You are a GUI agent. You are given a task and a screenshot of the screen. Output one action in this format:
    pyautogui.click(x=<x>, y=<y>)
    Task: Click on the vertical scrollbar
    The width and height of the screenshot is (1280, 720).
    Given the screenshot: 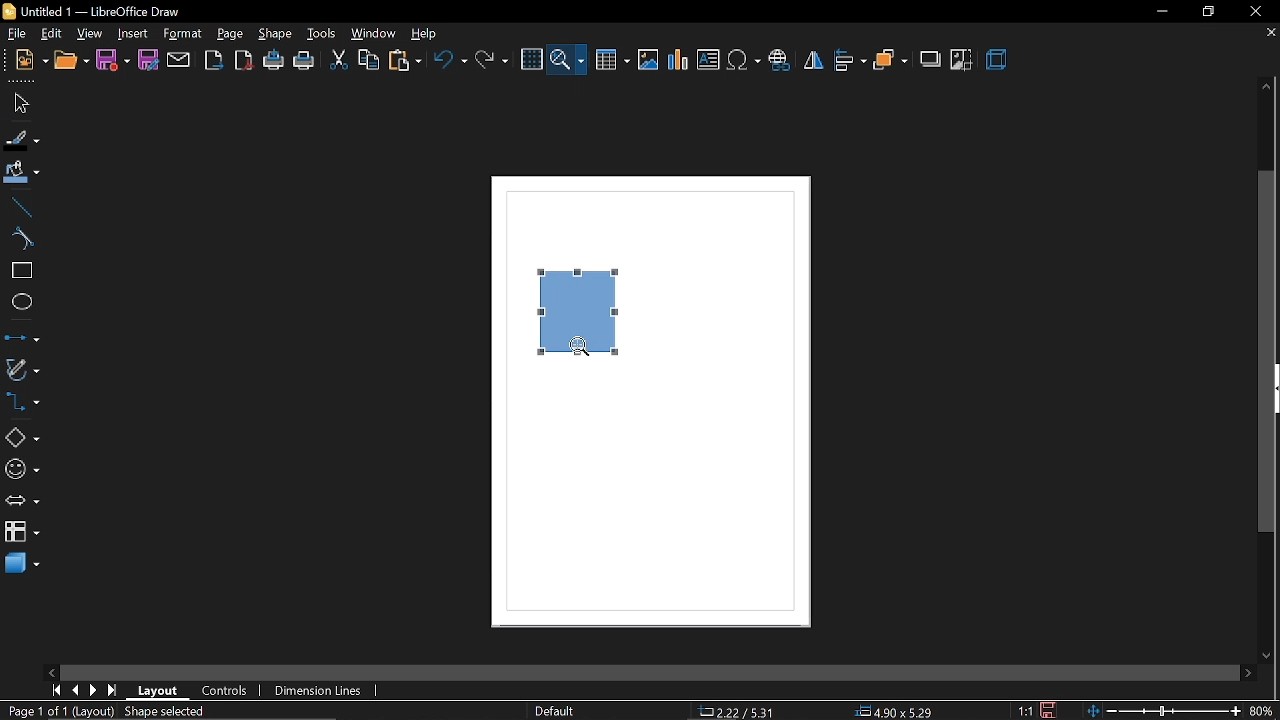 What is the action you would take?
    pyautogui.click(x=1266, y=354)
    